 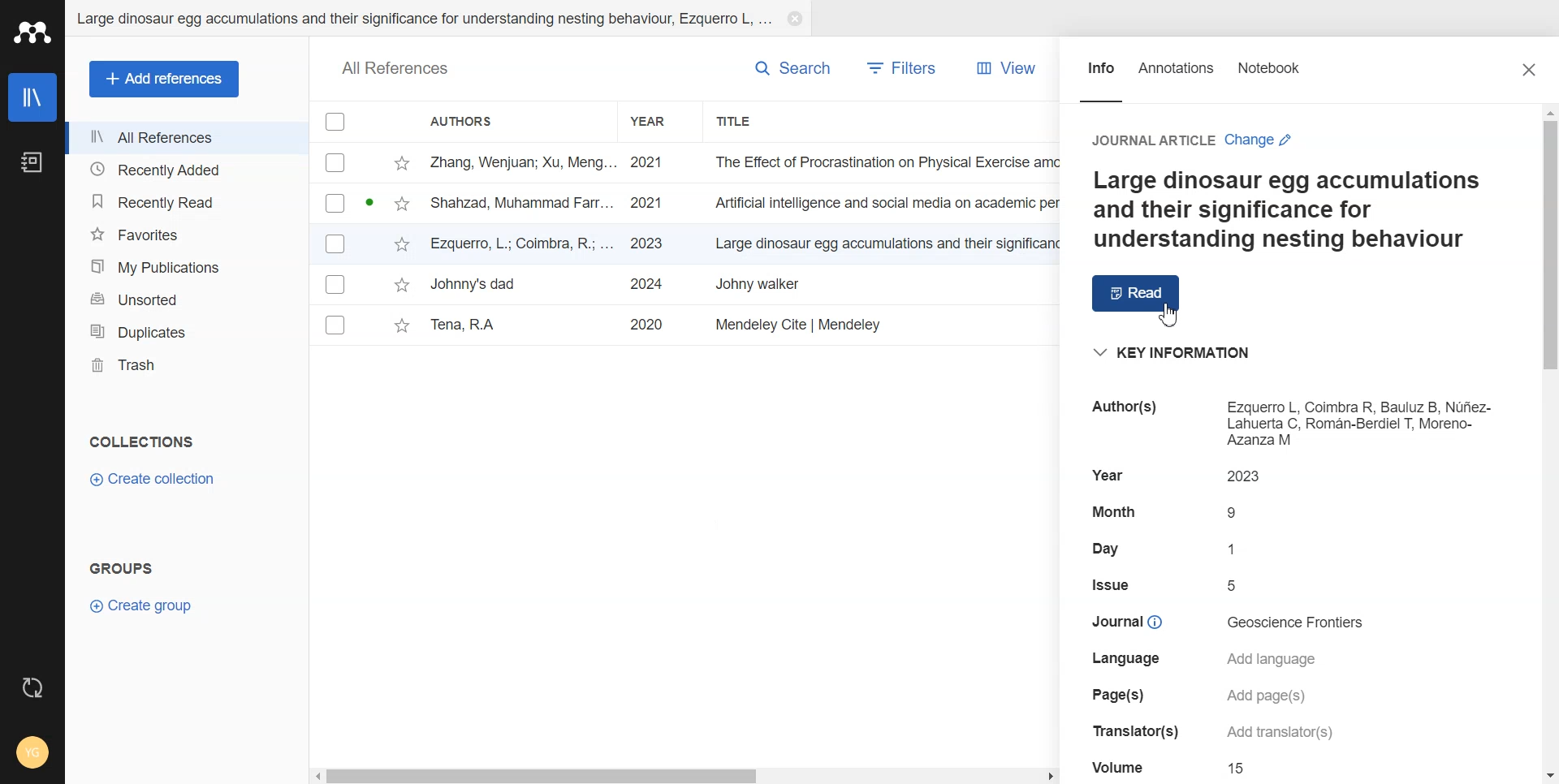 I want to click on Text, so click(x=395, y=68).